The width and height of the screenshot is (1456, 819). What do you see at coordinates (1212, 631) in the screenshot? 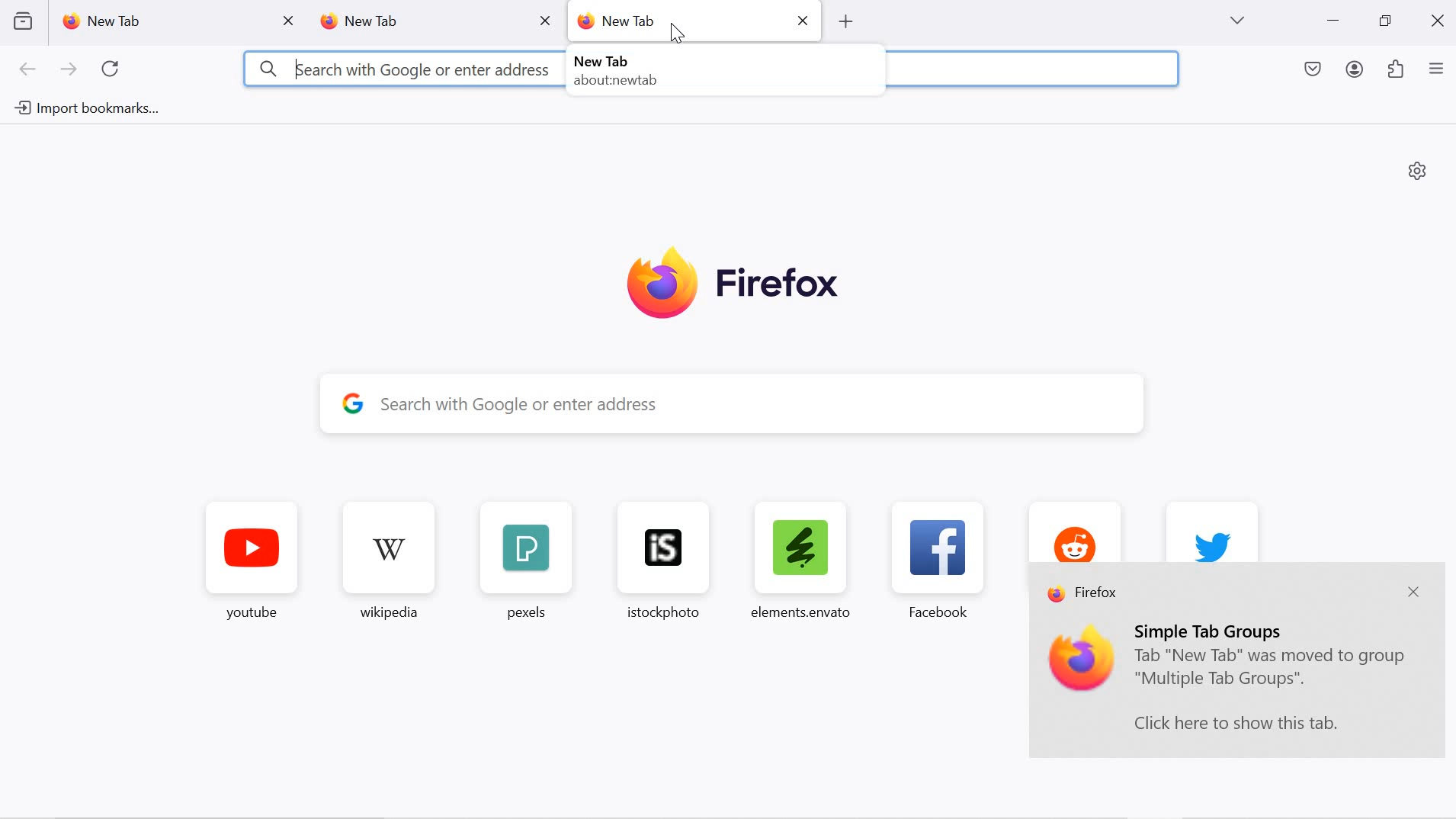
I see `simple tab groups` at bounding box center [1212, 631].